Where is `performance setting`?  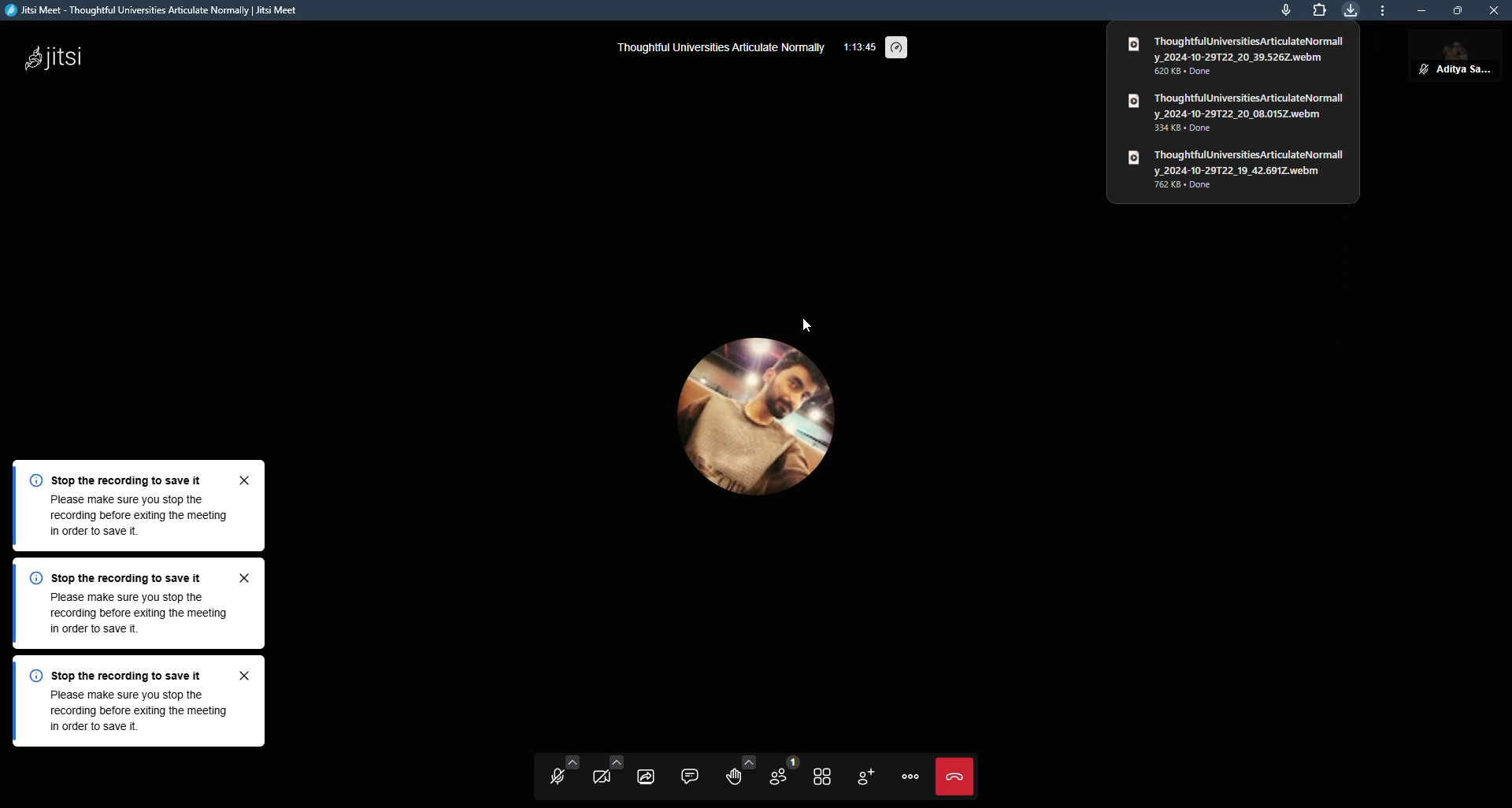
performance setting is located at coordinates (904, 49).